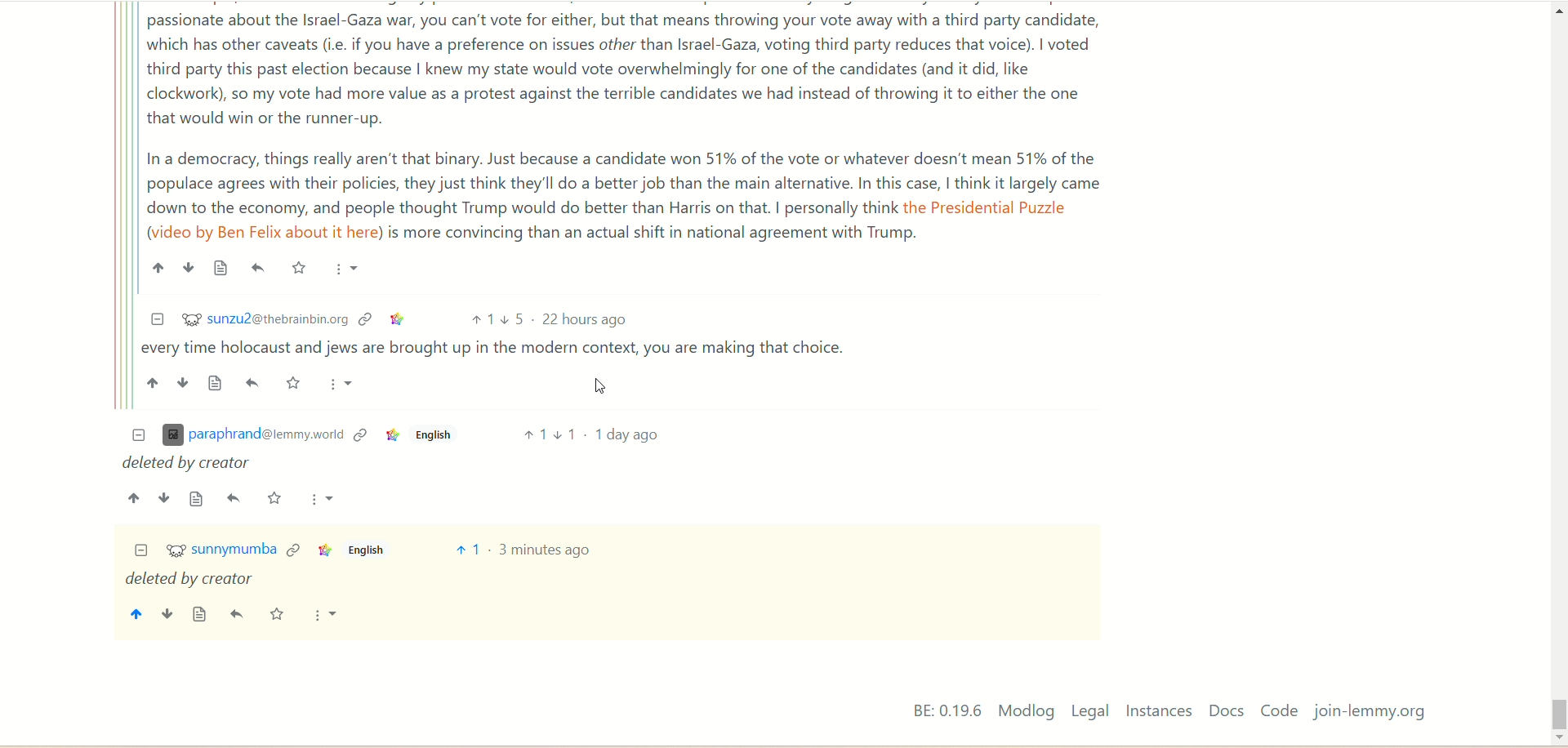 The height and width of the screenshot is (748, 1568). Describe the element at coordinates (481, 320) in the screenshot. I see `Upvote` at that location.